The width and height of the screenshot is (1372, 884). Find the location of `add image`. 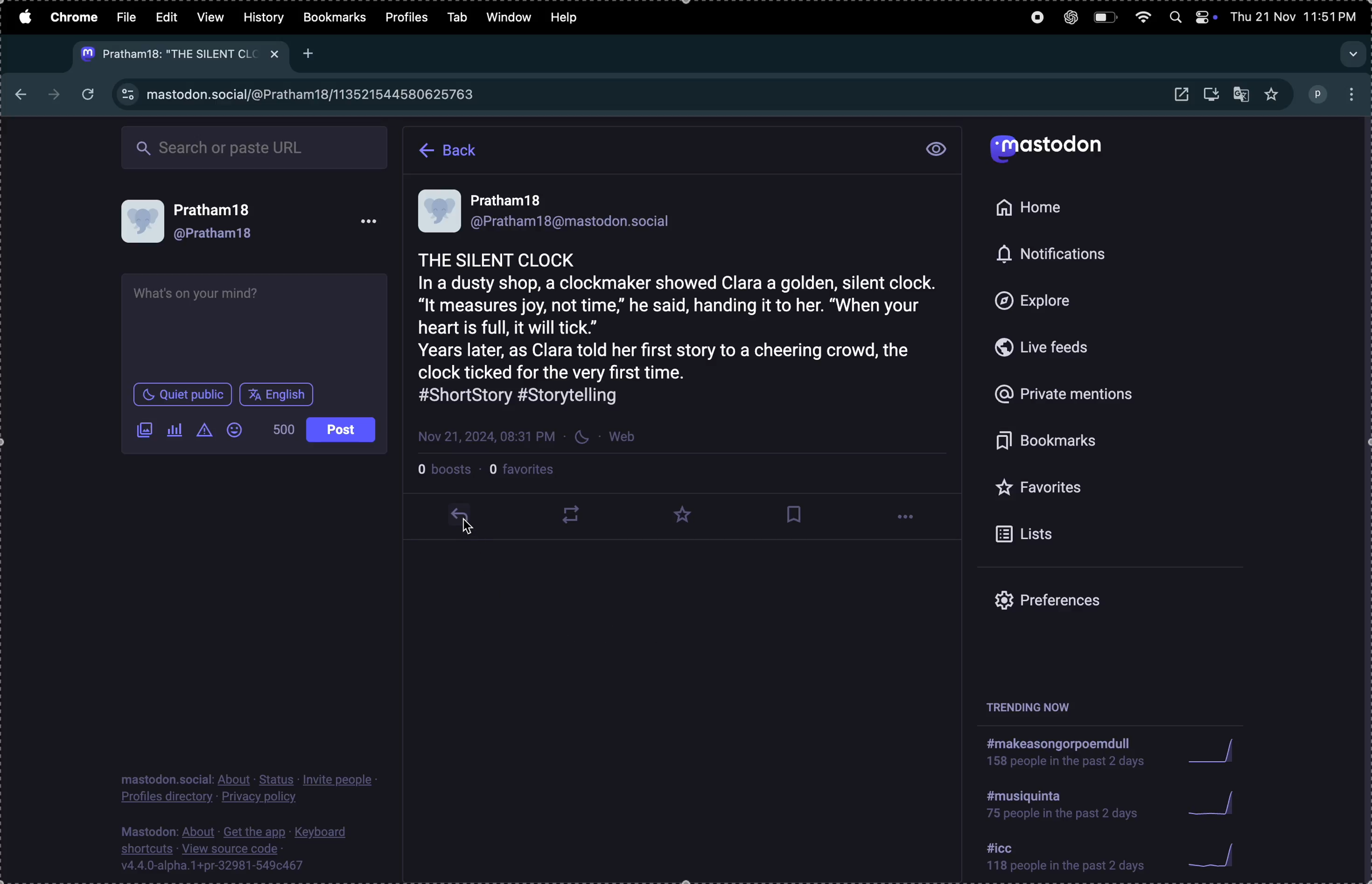

add image is located at coordinates (140, 431).